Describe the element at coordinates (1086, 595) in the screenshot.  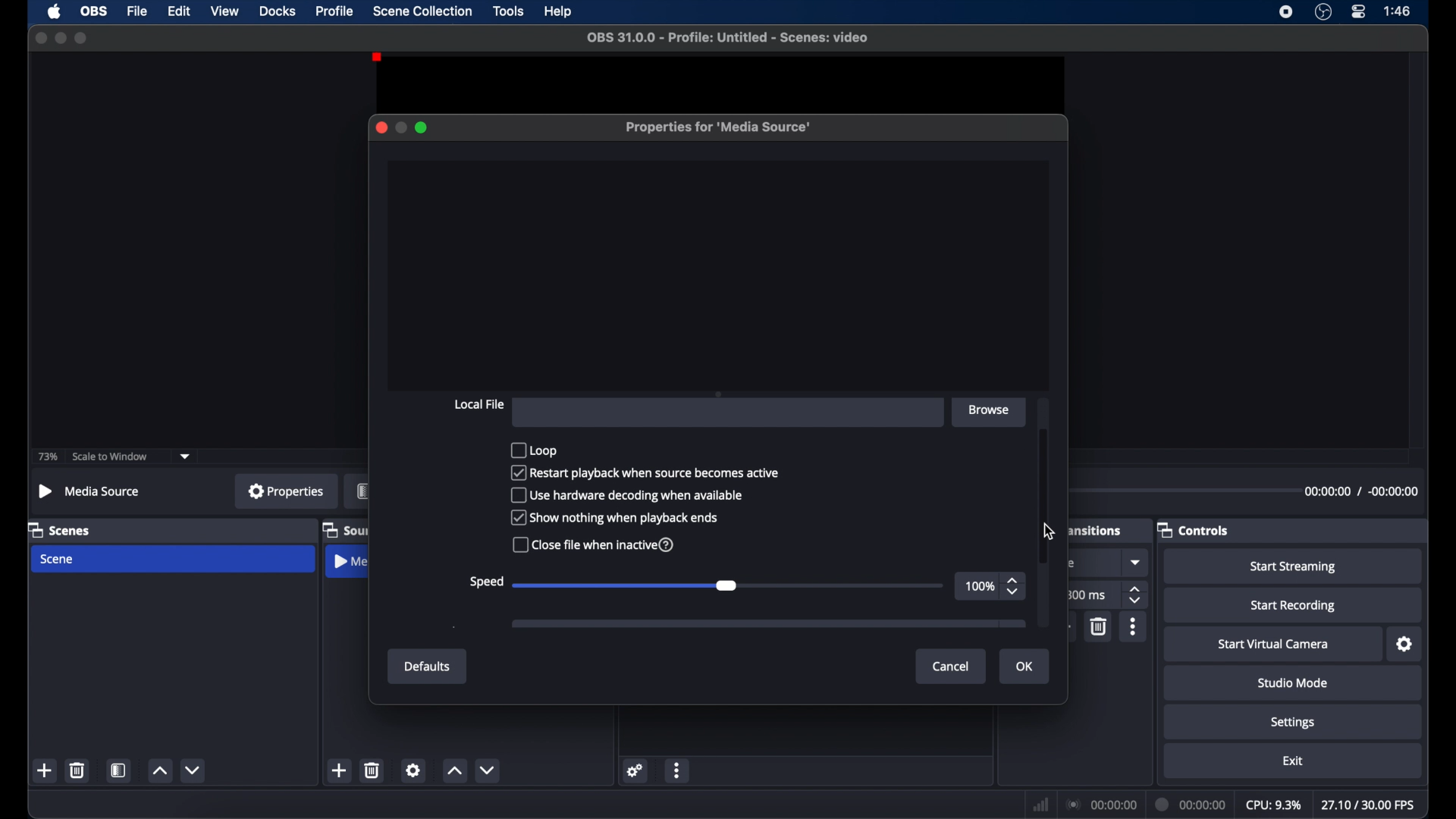
I see `300 ms` at that location.